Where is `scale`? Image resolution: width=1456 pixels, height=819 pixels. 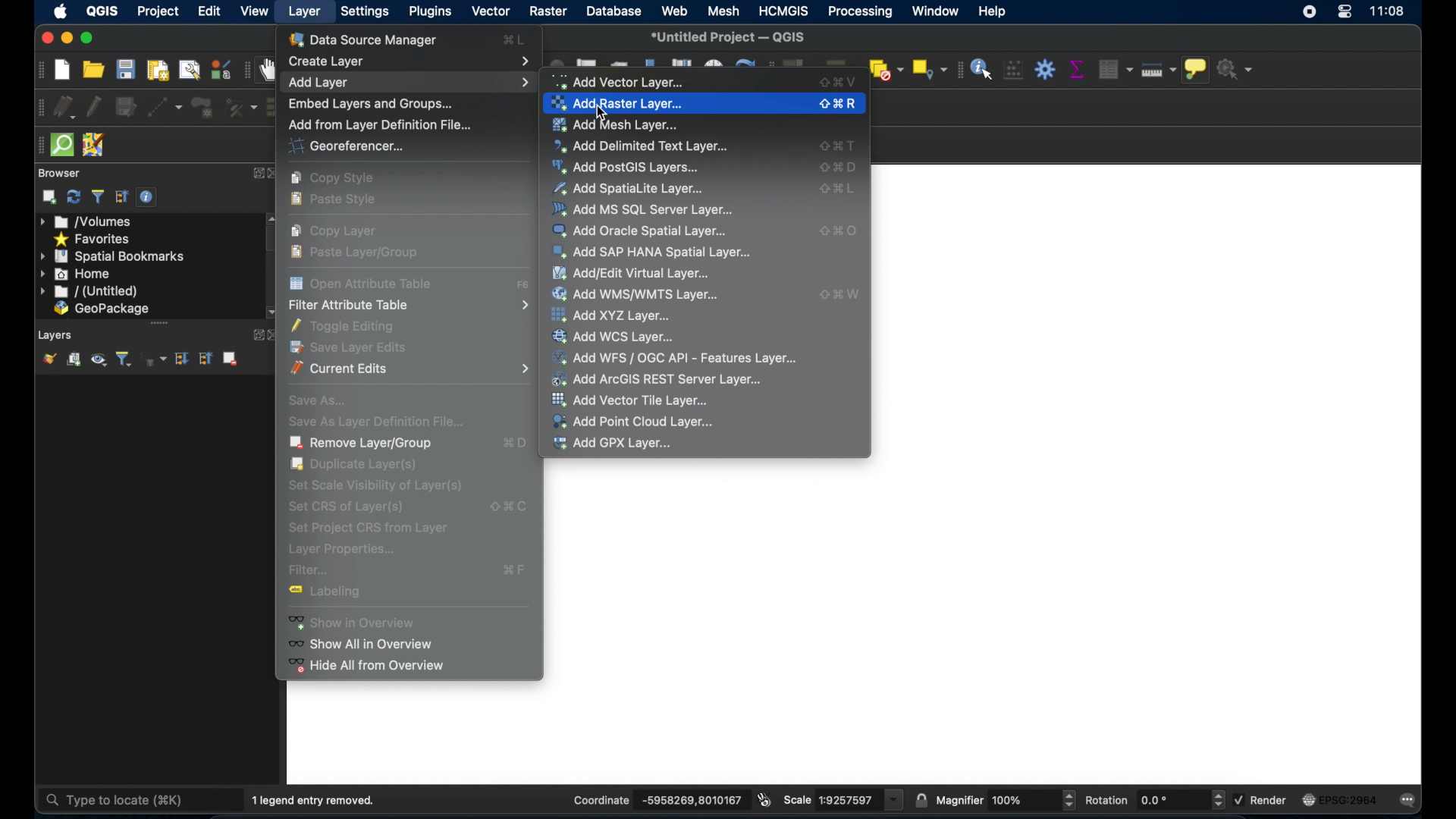
scale is located at coordinates (798, 800).